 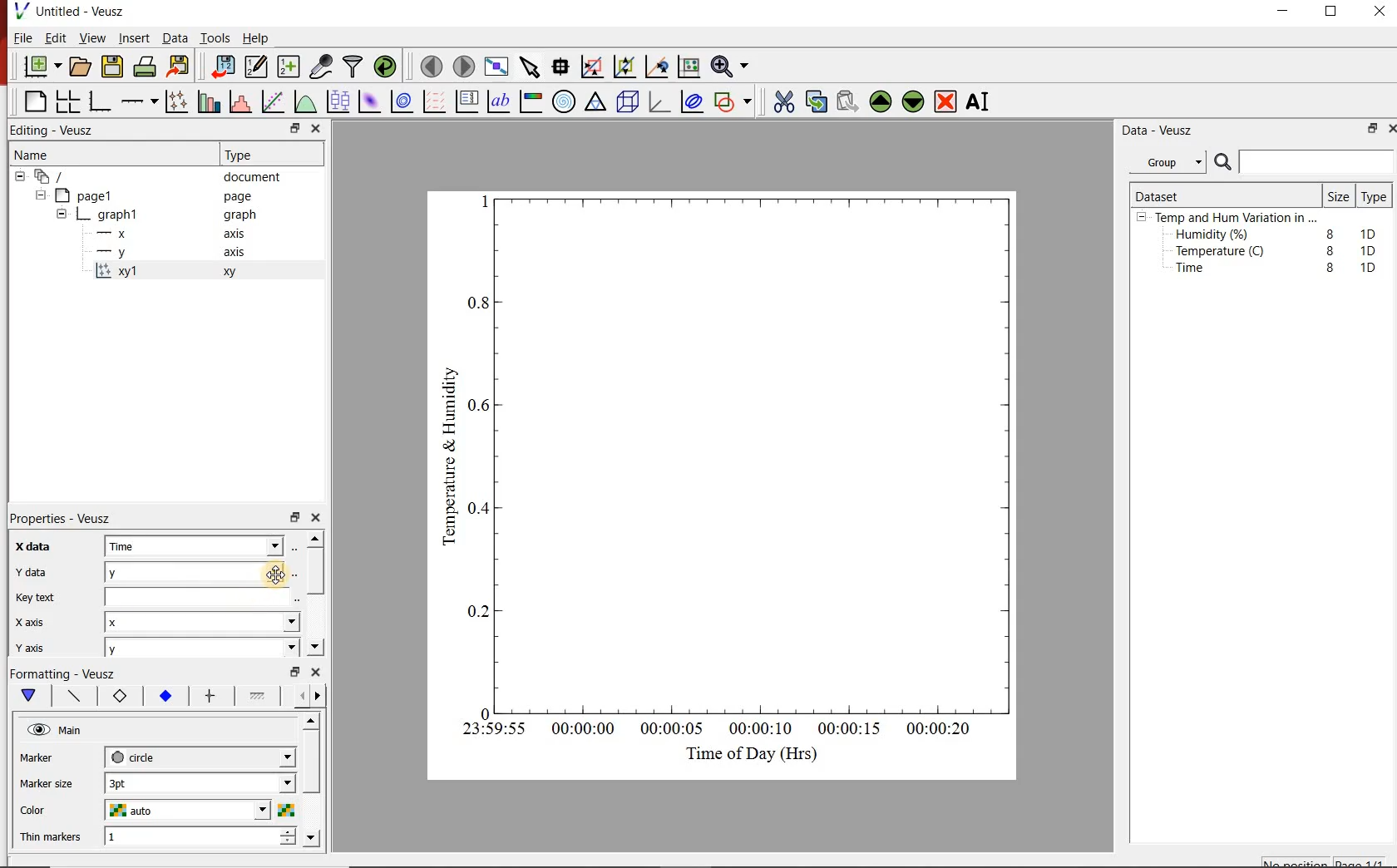 What do you see at coordinates (816, 101) in the screenshot?
I see `copy the selected widget` at bounding box center [816, 101].